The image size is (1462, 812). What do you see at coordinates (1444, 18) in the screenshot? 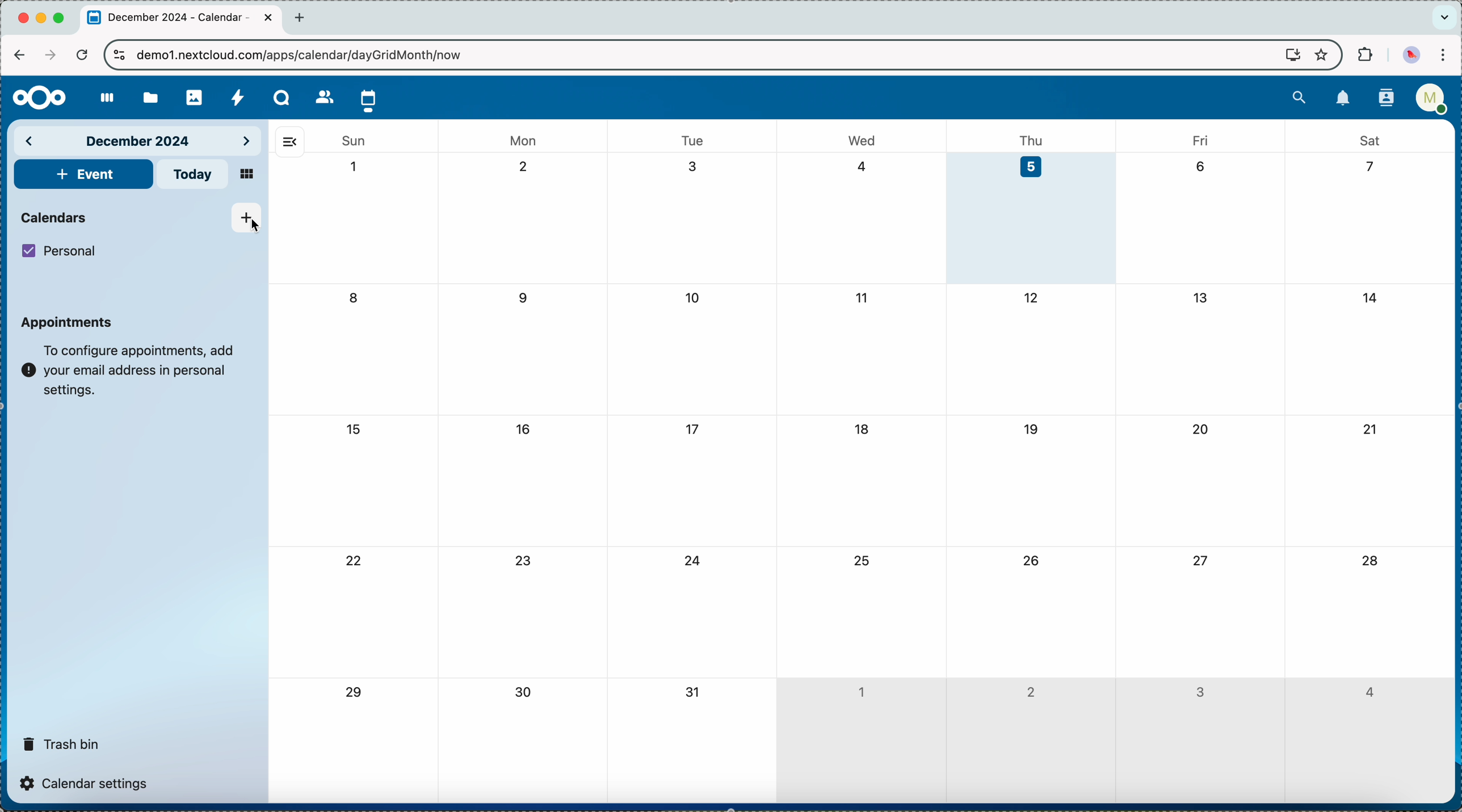
I see `search tabs` at bounding box center [1444, 18].